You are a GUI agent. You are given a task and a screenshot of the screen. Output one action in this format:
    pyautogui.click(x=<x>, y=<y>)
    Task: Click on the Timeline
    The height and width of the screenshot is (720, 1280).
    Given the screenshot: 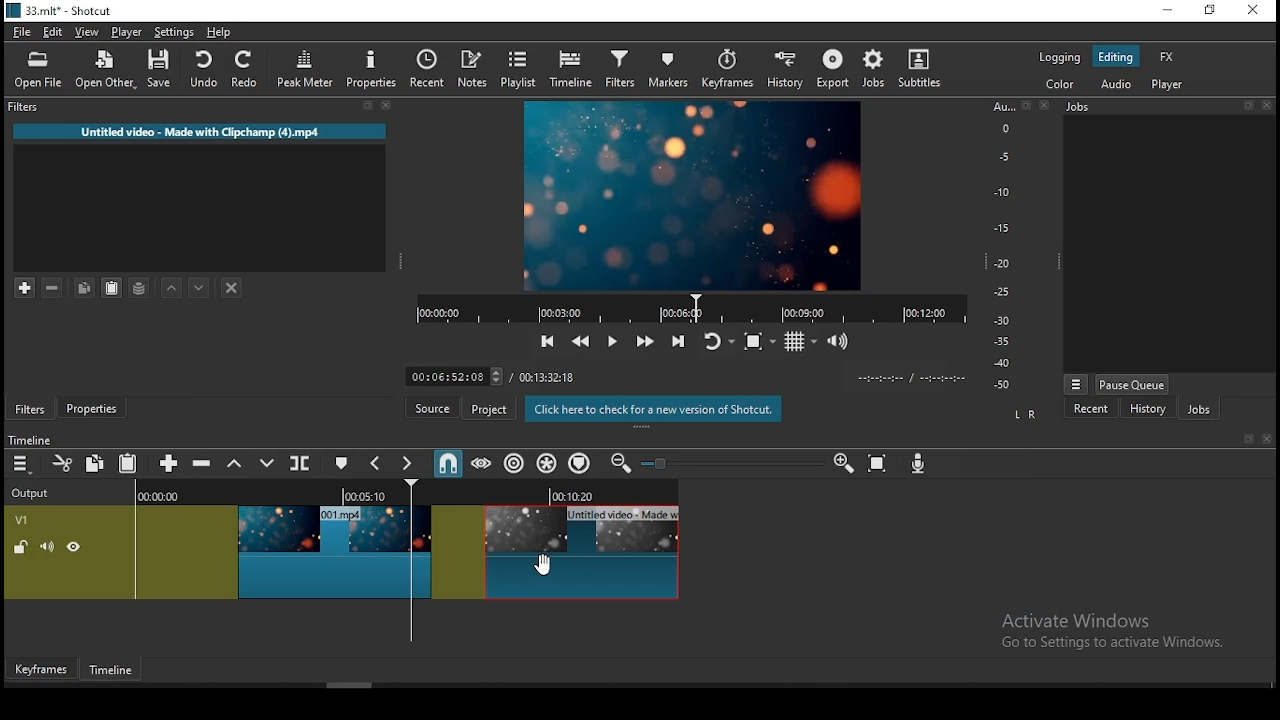 What is the action you would take?
    pyautogui.click(x=114, y=666)
    